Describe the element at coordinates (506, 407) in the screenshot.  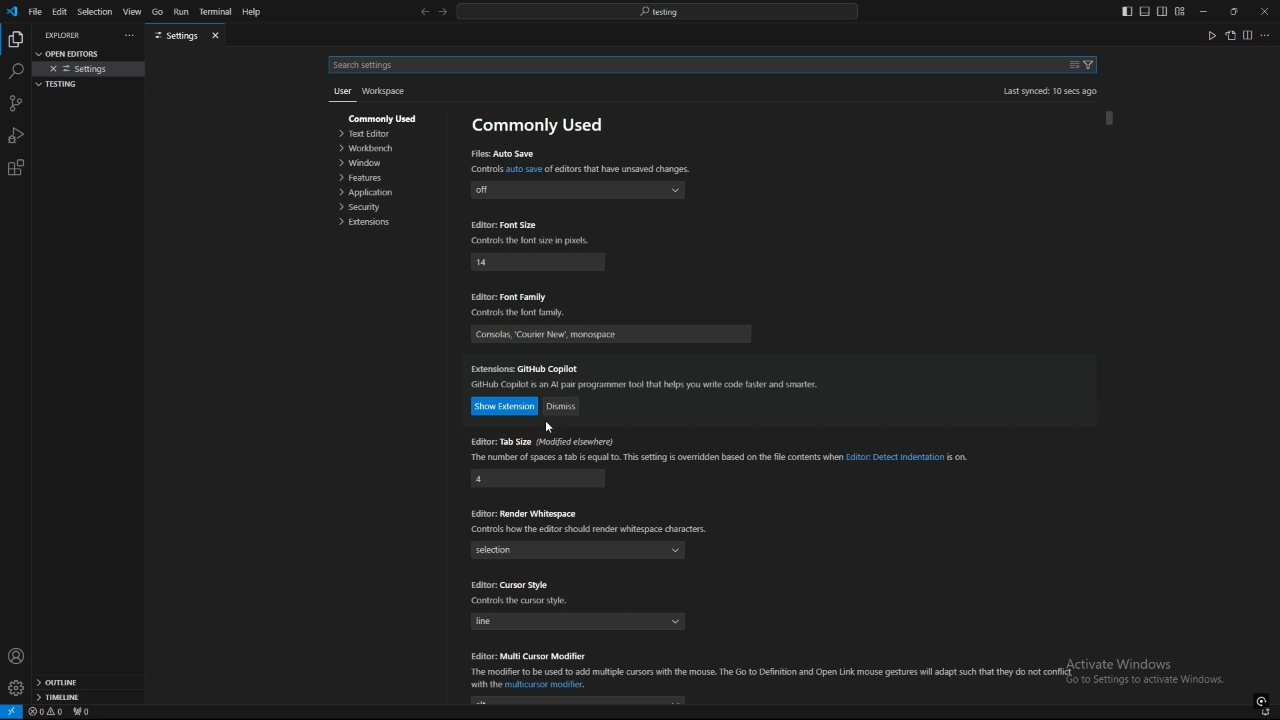
I see `show extensions` at that location.